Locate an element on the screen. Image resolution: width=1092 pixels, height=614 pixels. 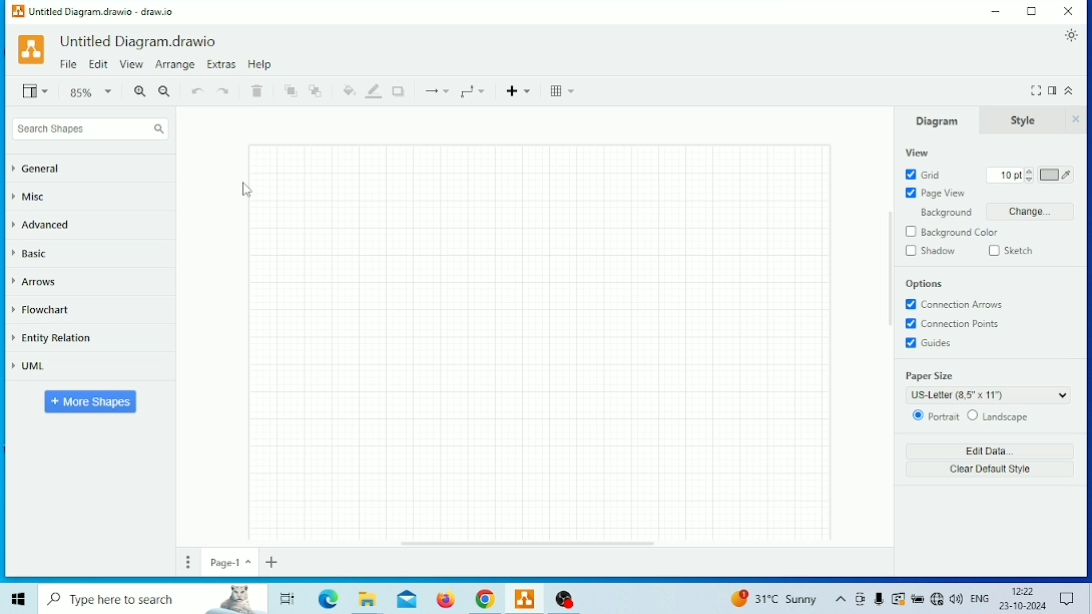
advanced is located at coordinates (42, 224).